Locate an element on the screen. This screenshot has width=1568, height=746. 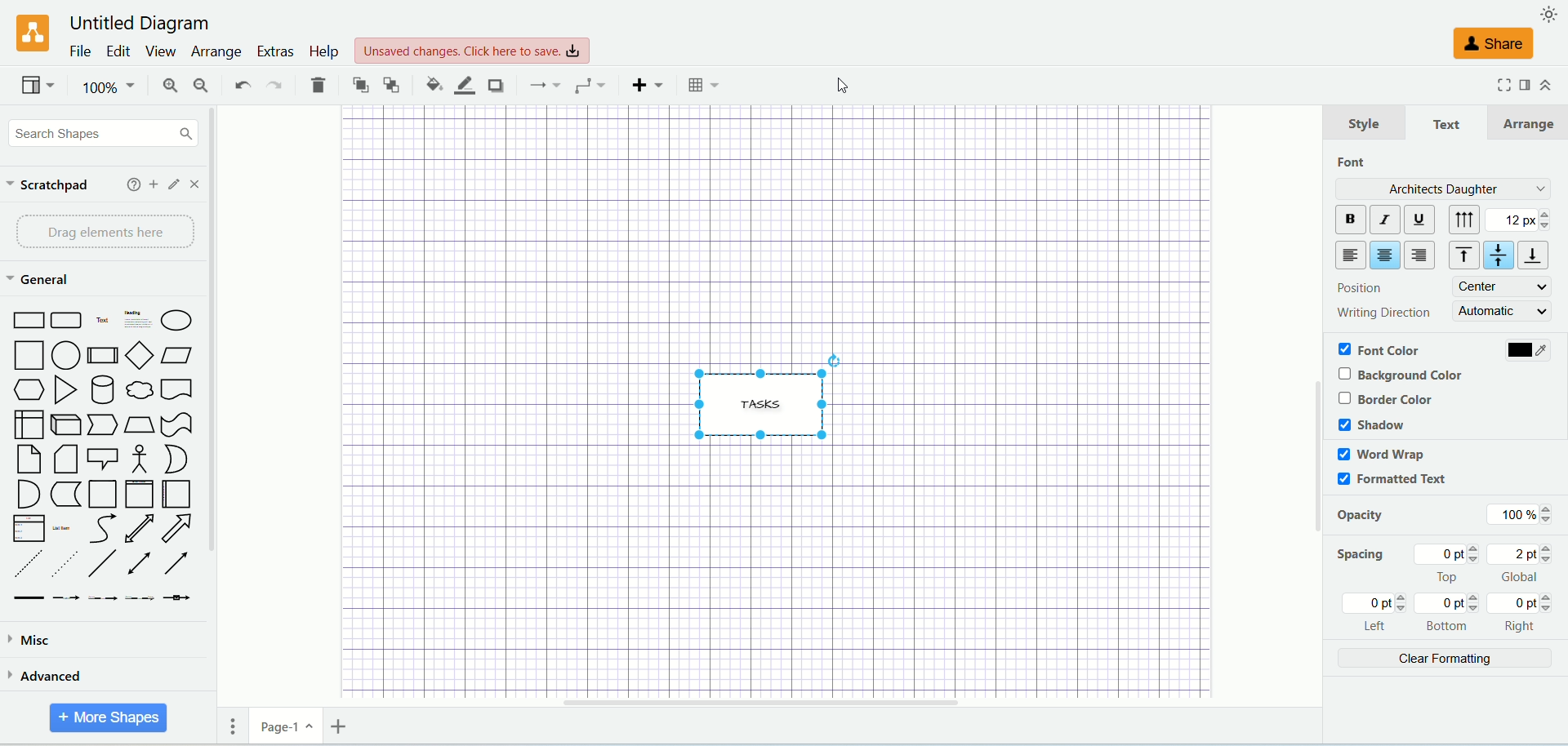
Or is located at coordinates (174, 459).